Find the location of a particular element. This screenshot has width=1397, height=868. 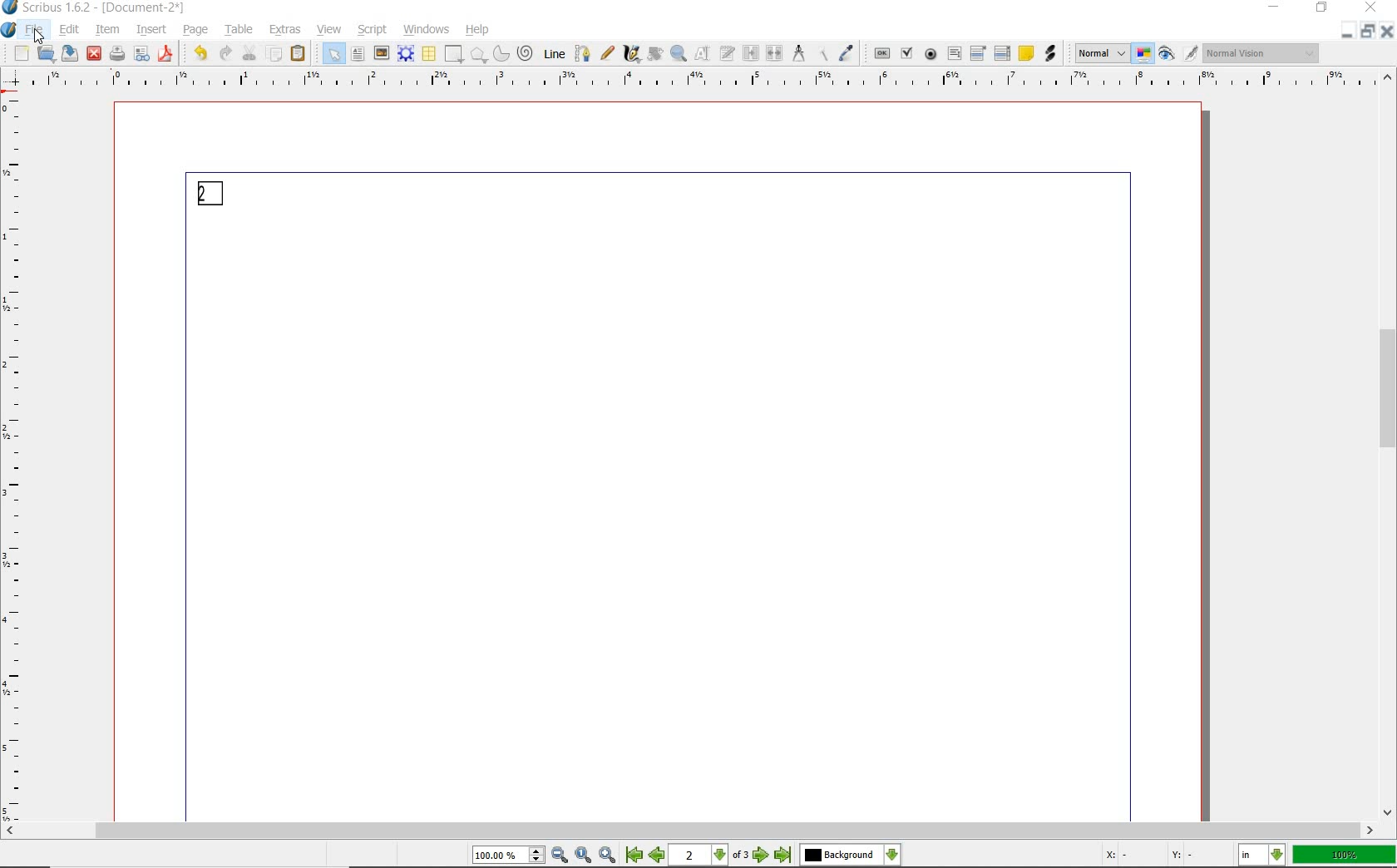

Edit in Preview Mode is located at coordinates (1190, 56).